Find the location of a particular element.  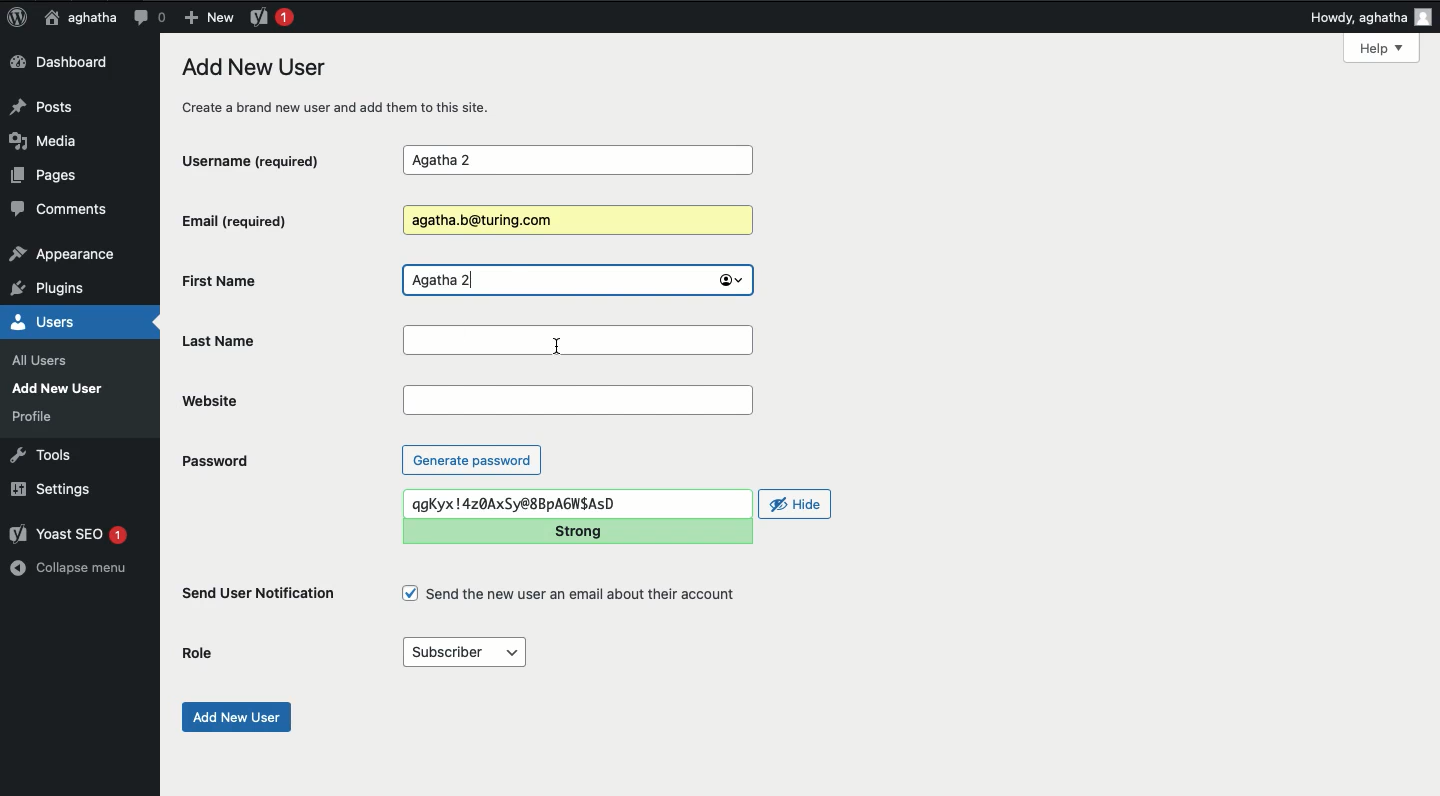

Posts is located at coordinates (47, 105).